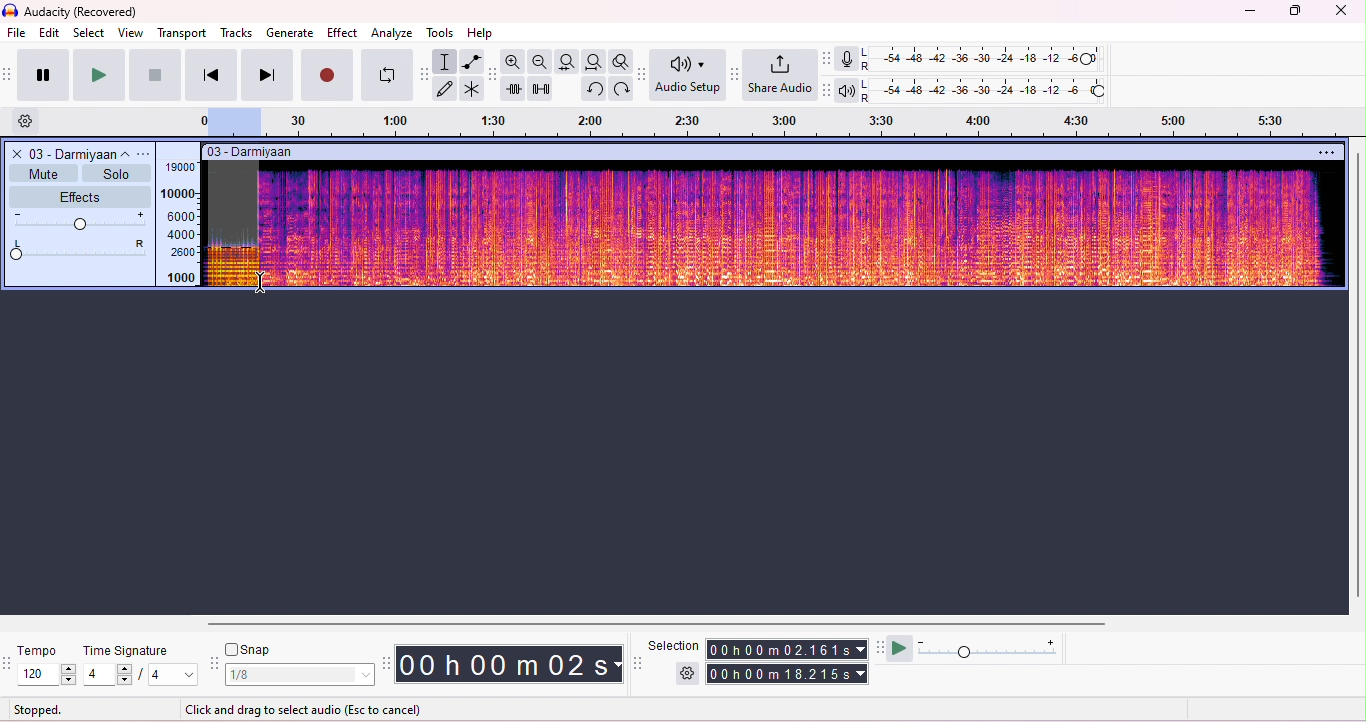 Image resolution: width=1366 pixels, height=722 pixels. Describe the element at coordinates (211, 75) in the screenshot. I see `previous` at that location.